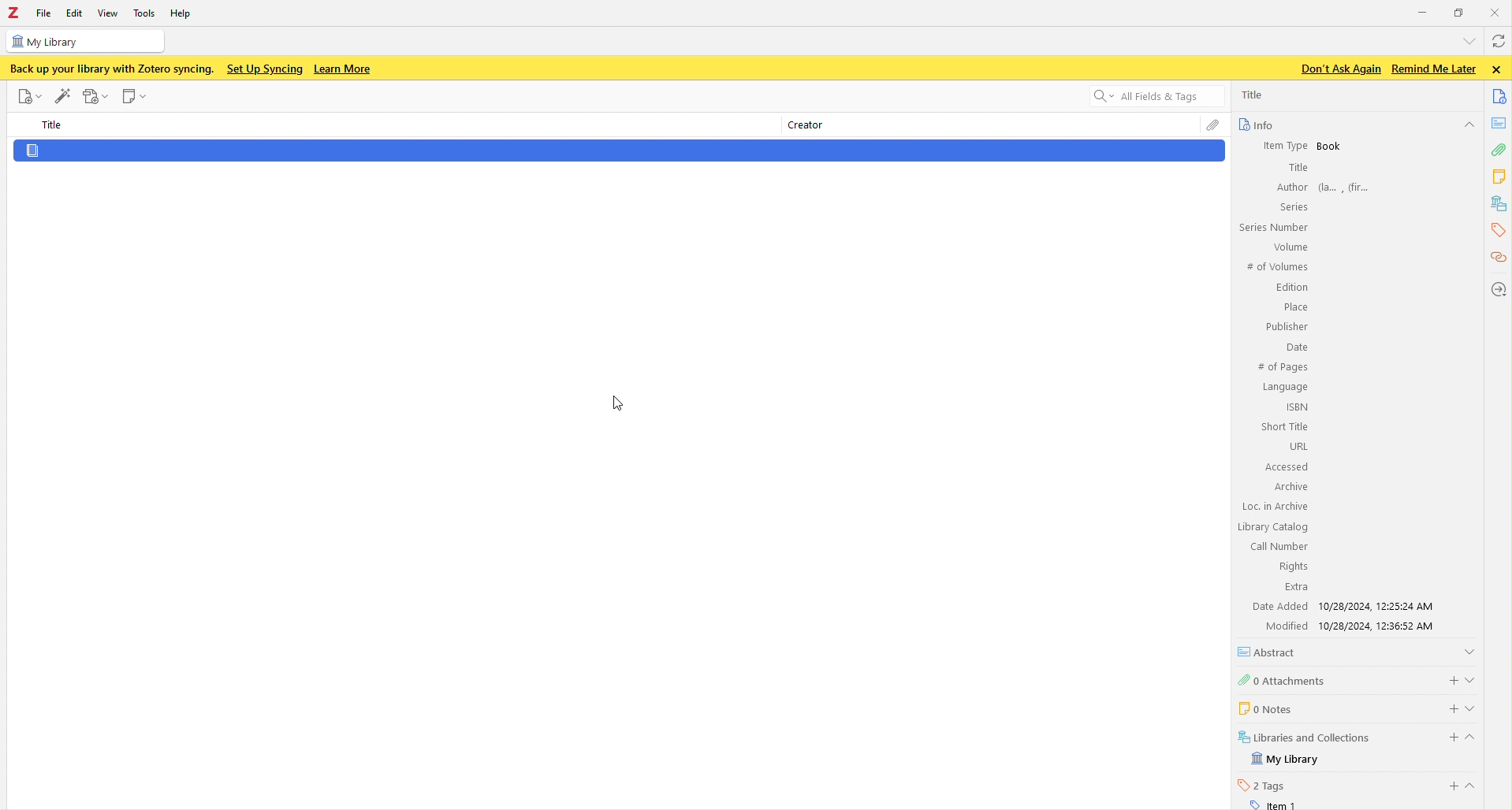 This screenshot has height=810, width=1512. I want to click on add, so click(1444, 707).